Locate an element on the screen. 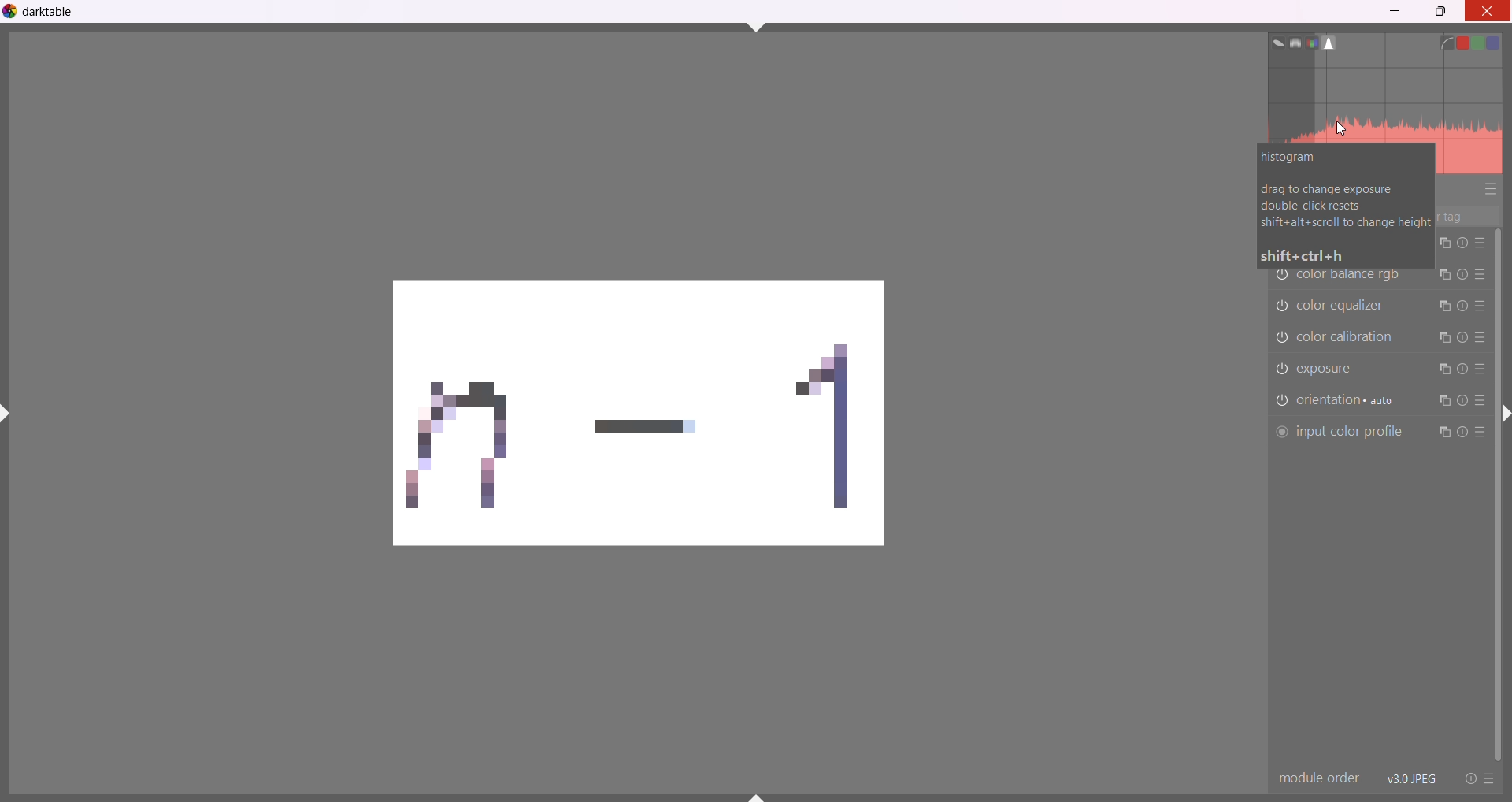 This screenshot has width=1512, height=802. vector scope is located at coordinates (1273, 41).